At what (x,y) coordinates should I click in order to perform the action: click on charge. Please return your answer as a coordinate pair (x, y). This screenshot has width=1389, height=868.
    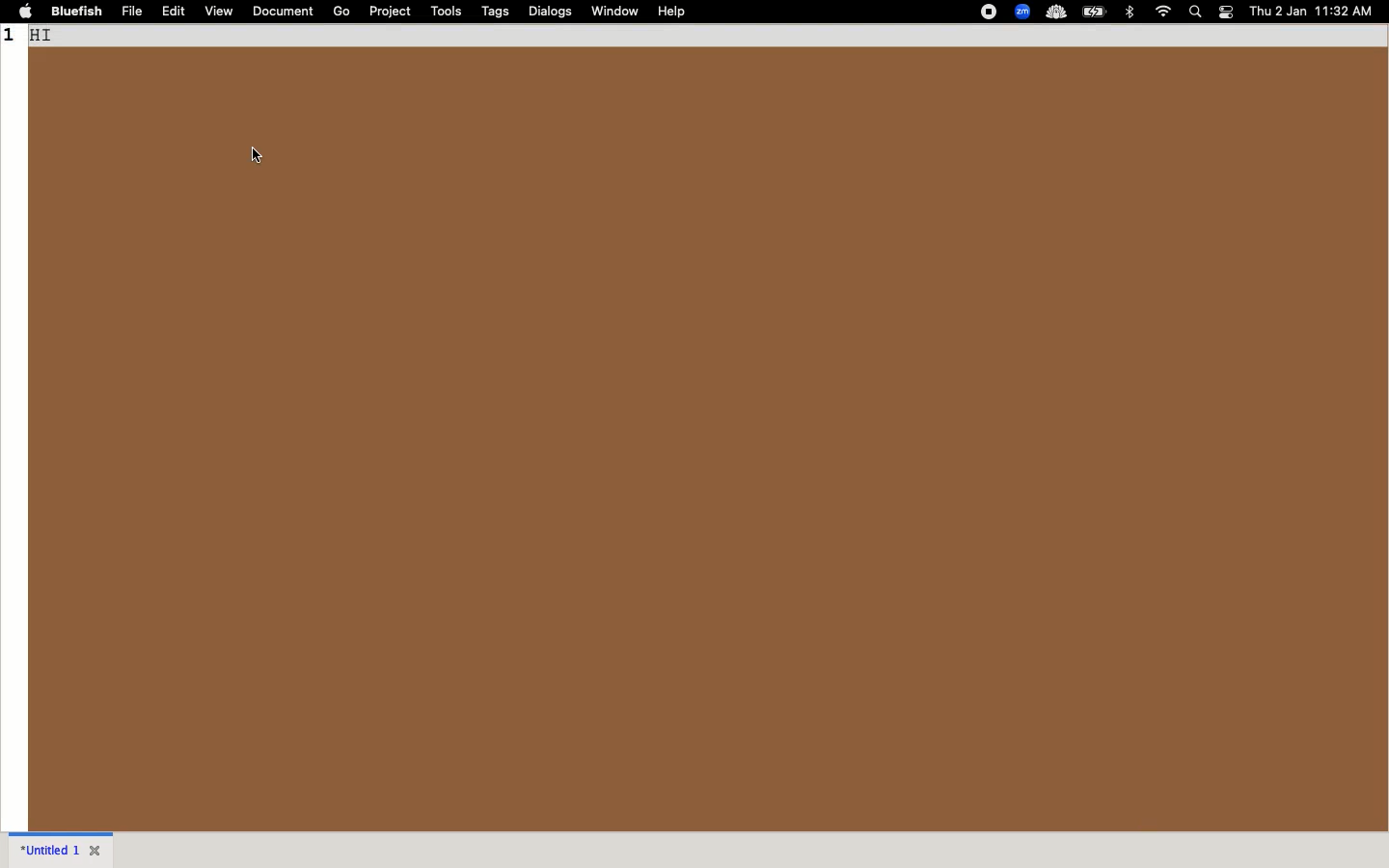
    Looking at the image, I should click on (1097, 12).